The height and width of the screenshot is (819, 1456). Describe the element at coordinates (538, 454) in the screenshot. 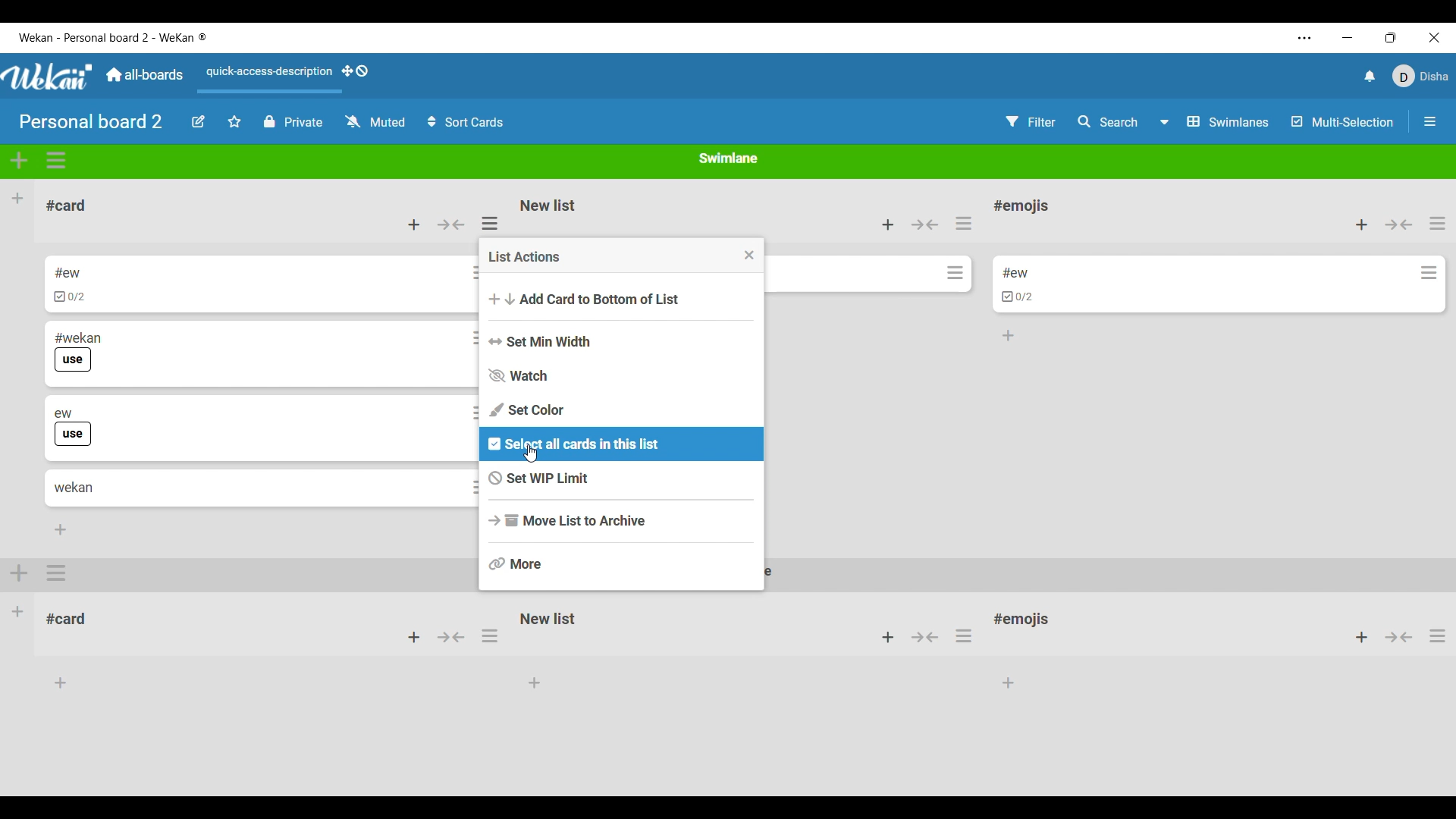

I see `cursor` at that location.